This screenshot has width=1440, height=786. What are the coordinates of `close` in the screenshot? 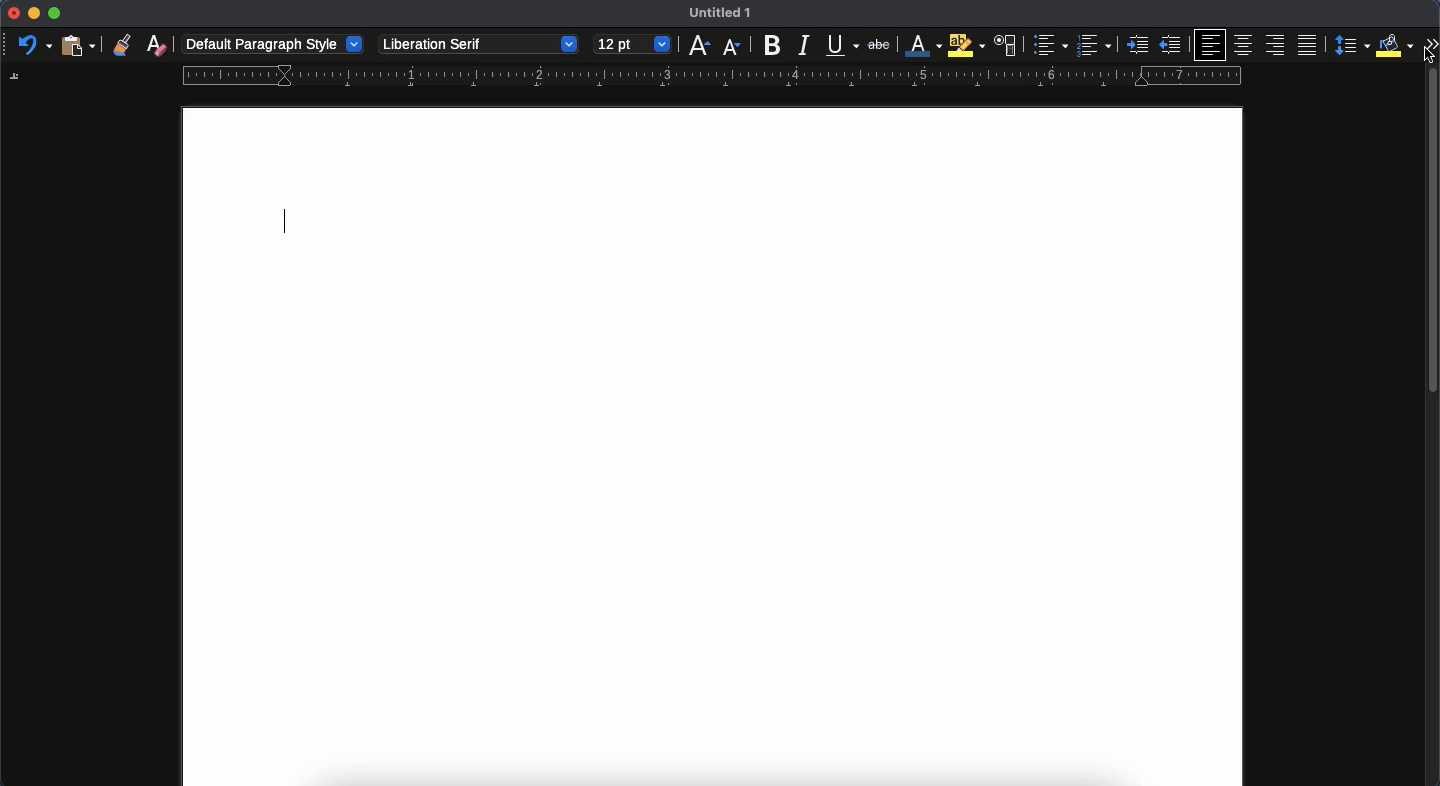 It's located at (11, 12).